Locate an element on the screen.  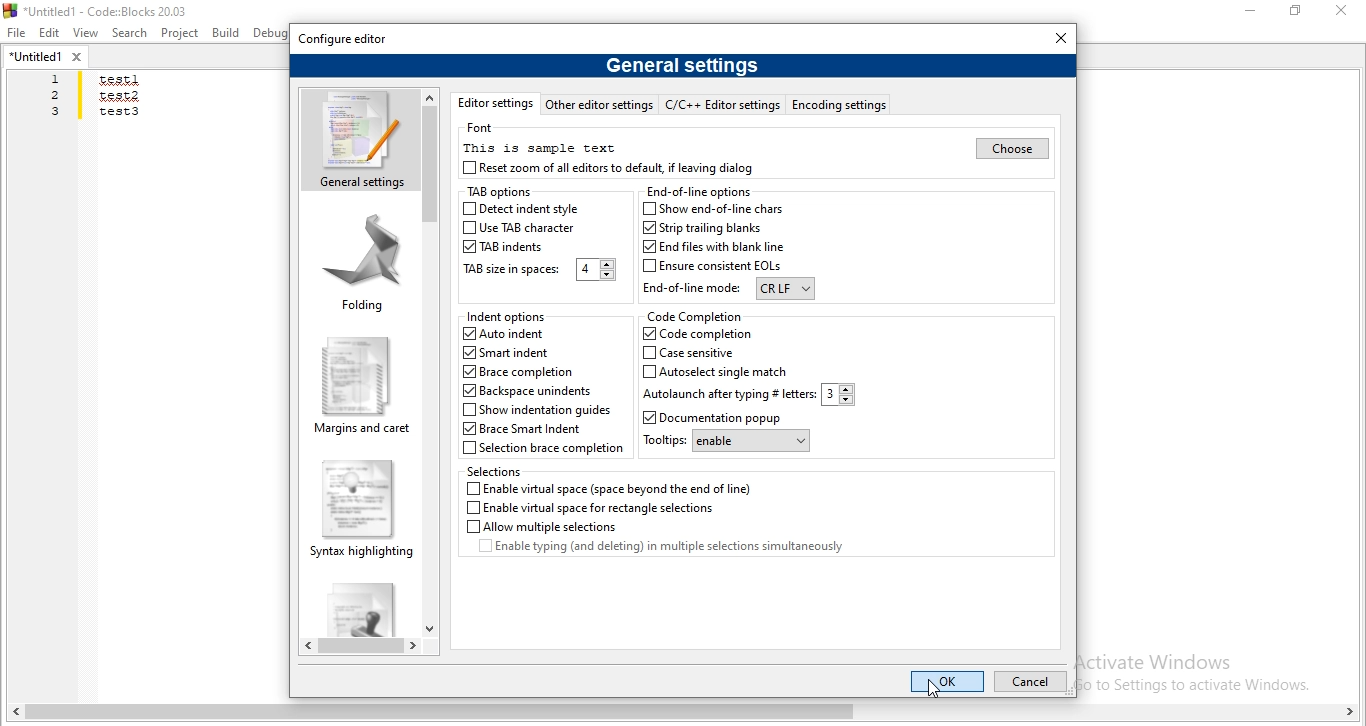
scroll bar is located at coordinates (432, 361).